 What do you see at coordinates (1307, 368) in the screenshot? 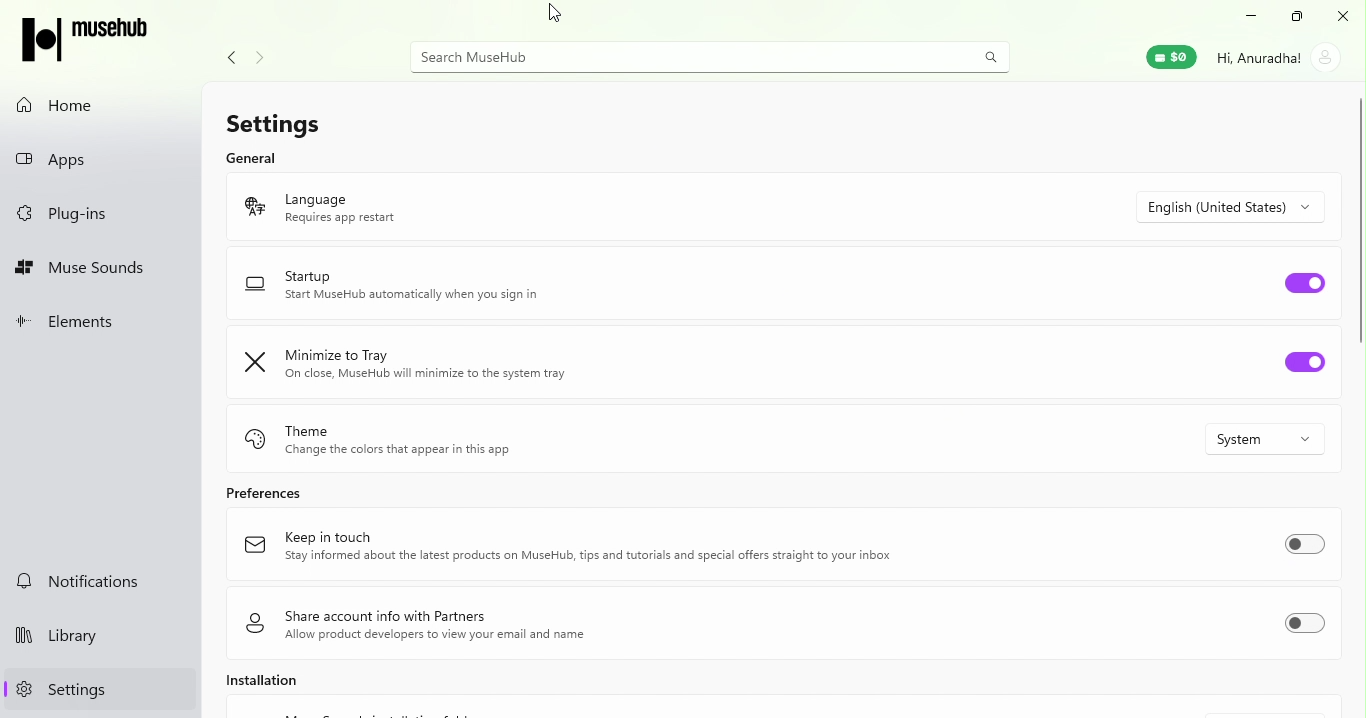
I see `Toggle` at bounding box center [1307, 368].